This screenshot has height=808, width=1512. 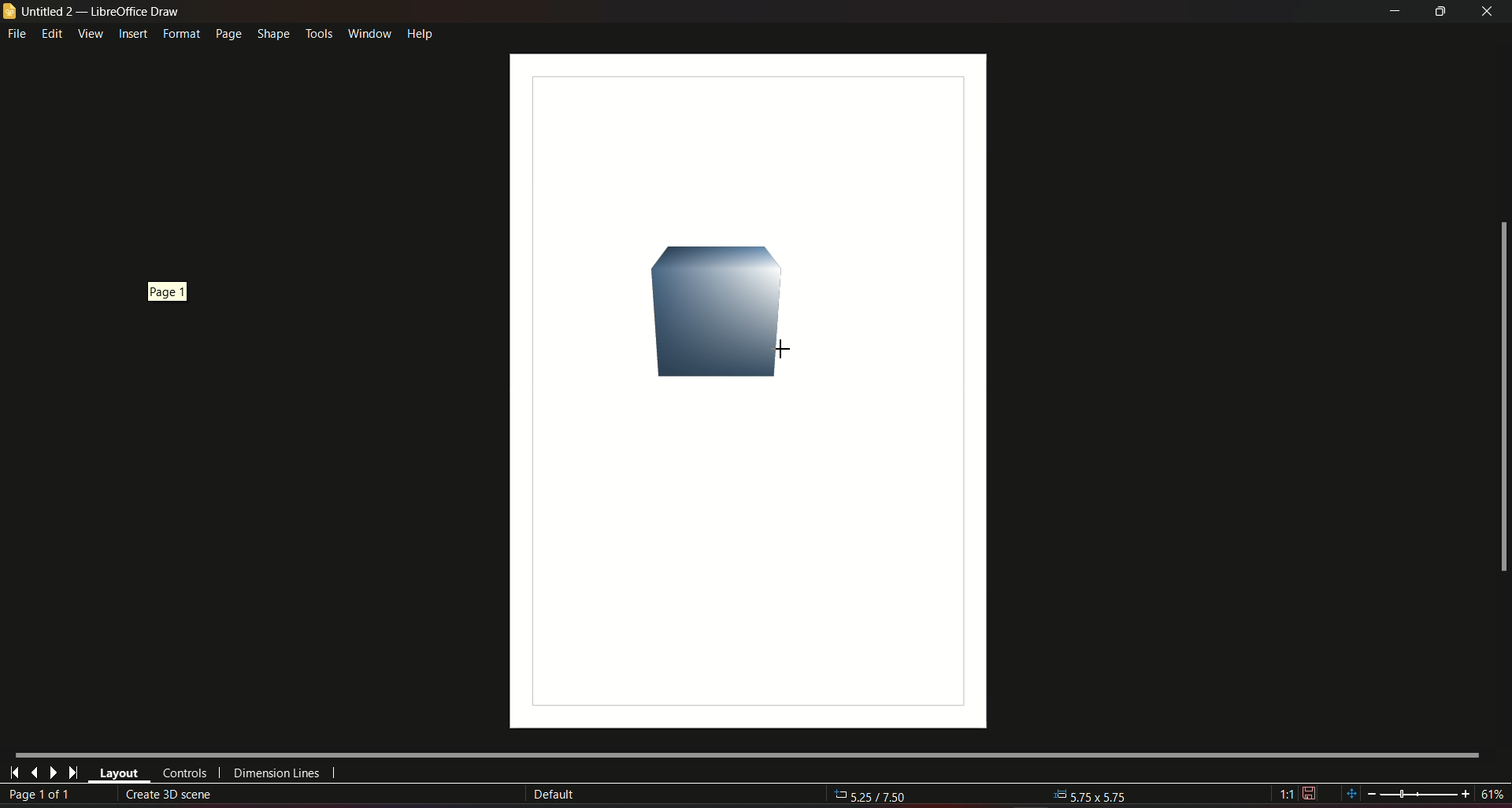 What do you see at coordinates (132, 35) in the screenshot?
I see `insert` at bounding box center [132, 35].